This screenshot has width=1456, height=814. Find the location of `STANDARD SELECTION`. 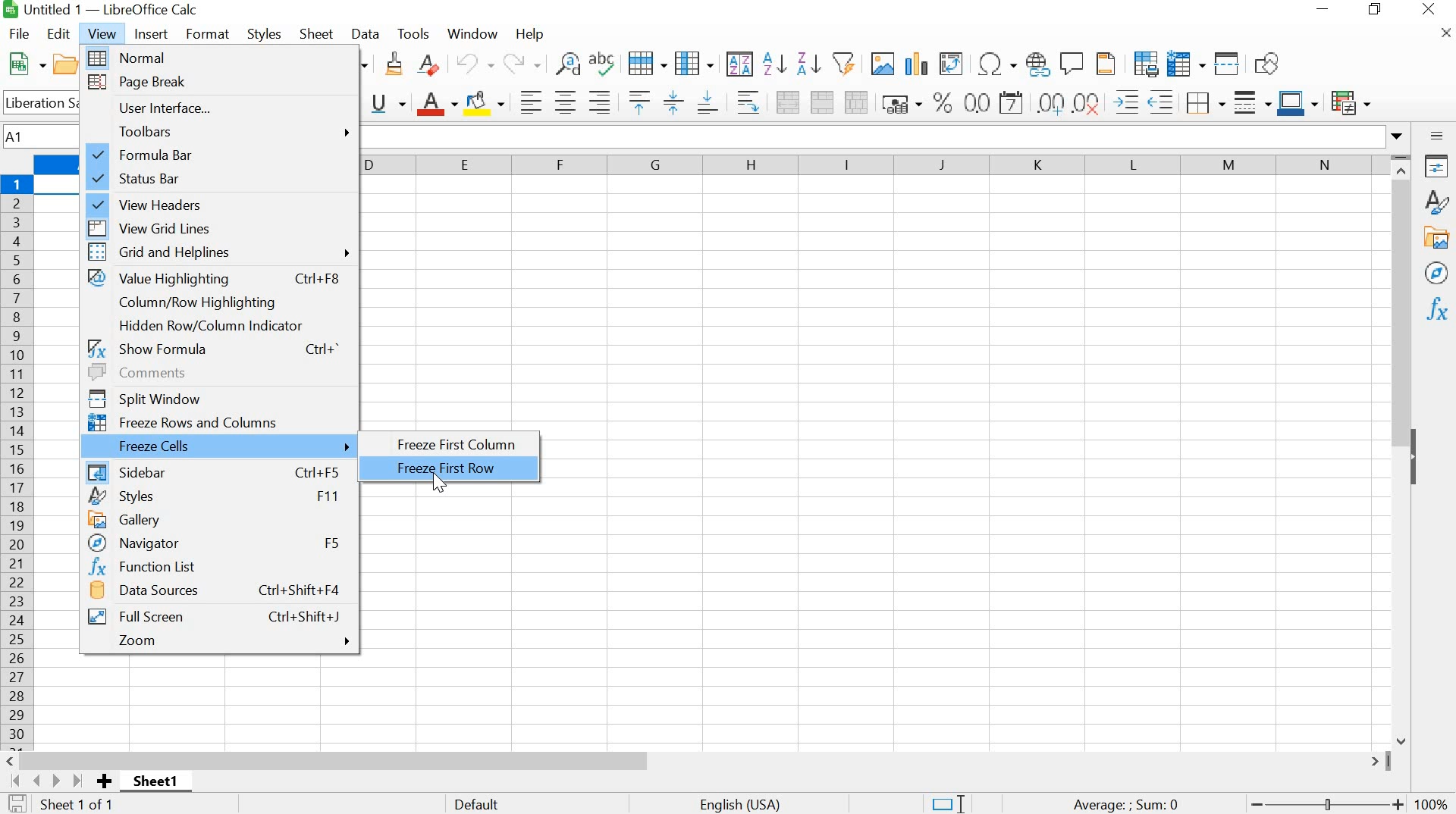

STANDARD SELECTION is located at coordinates (947, 804).